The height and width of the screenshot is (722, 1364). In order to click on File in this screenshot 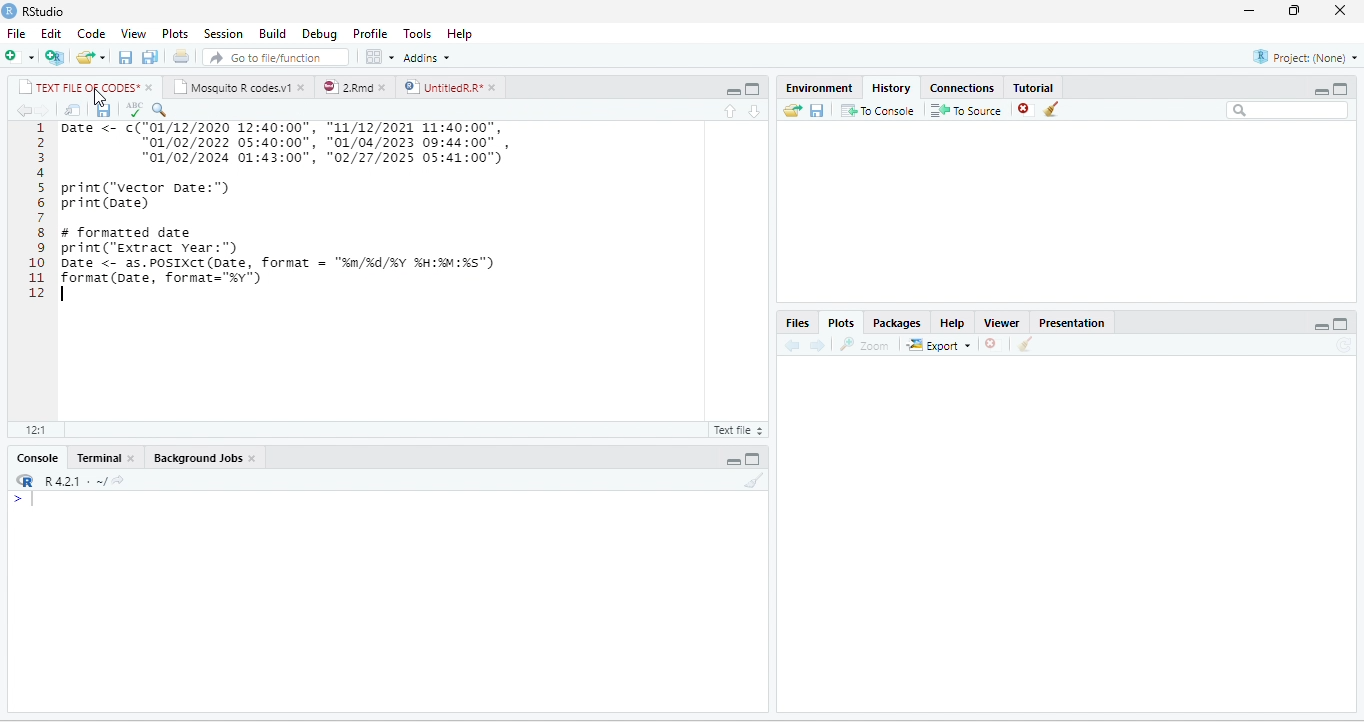, I will do `click(16, 34)`.